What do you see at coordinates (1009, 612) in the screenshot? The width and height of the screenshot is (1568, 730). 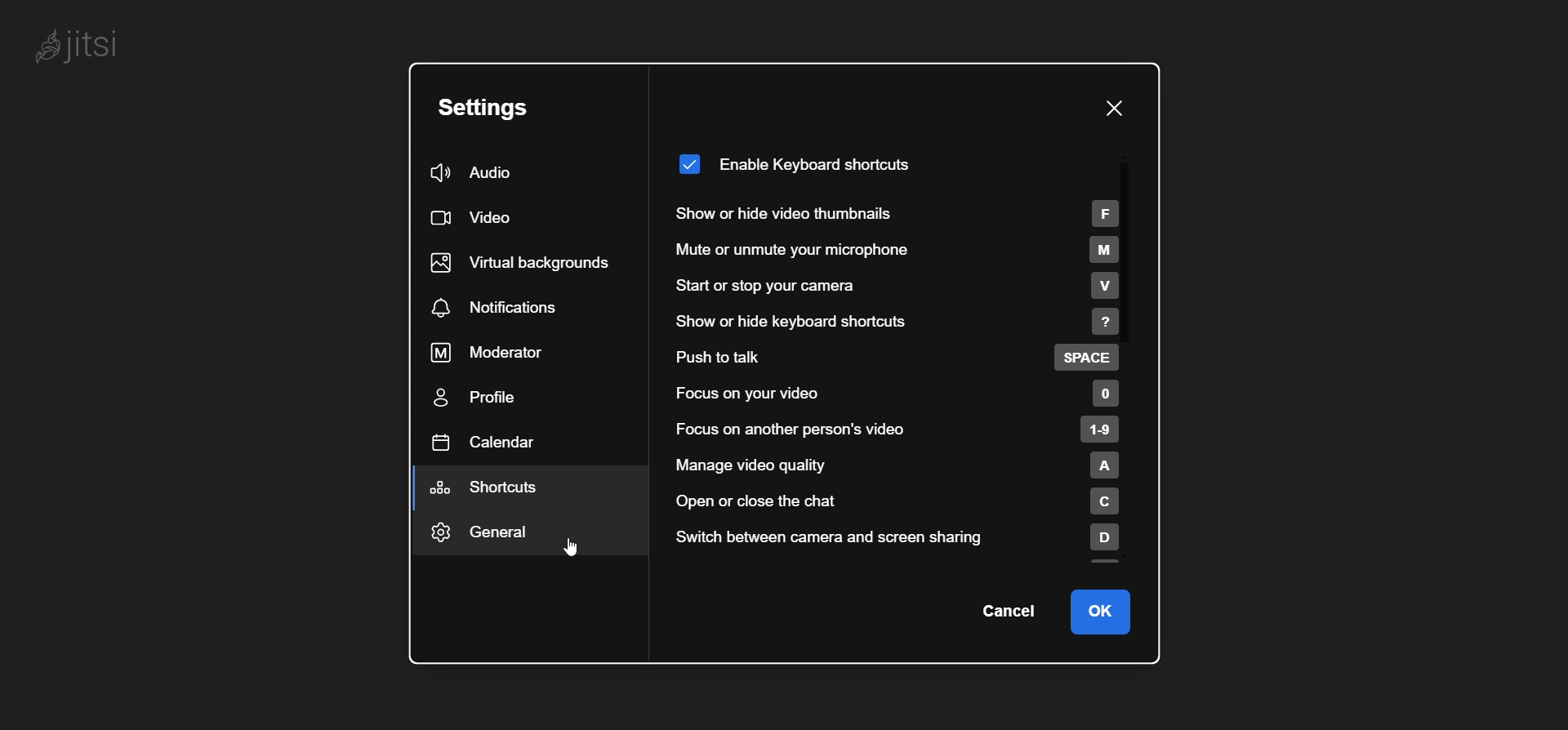 I see `cancel` at bounding box center [1009, 612].